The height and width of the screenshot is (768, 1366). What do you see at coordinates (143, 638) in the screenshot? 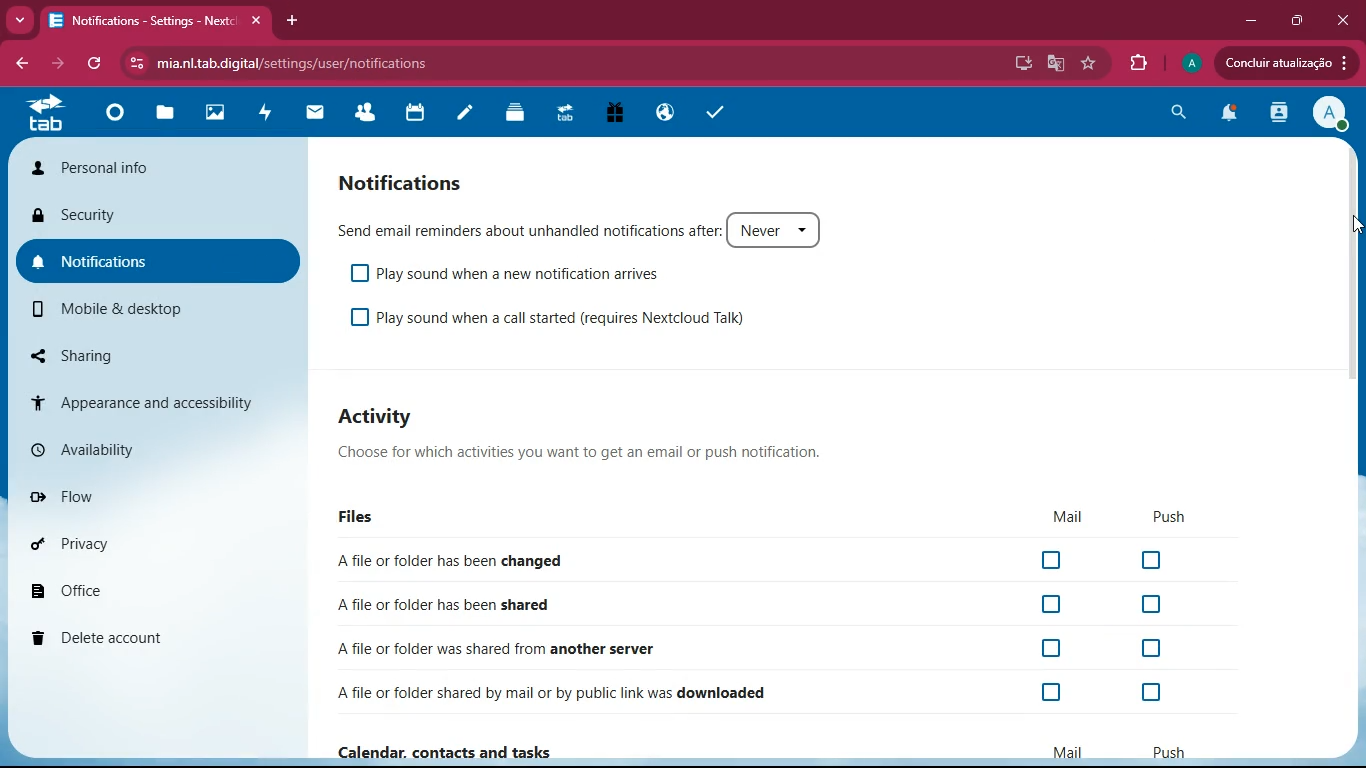
I see `delete account` at bounding box center [143, 638].